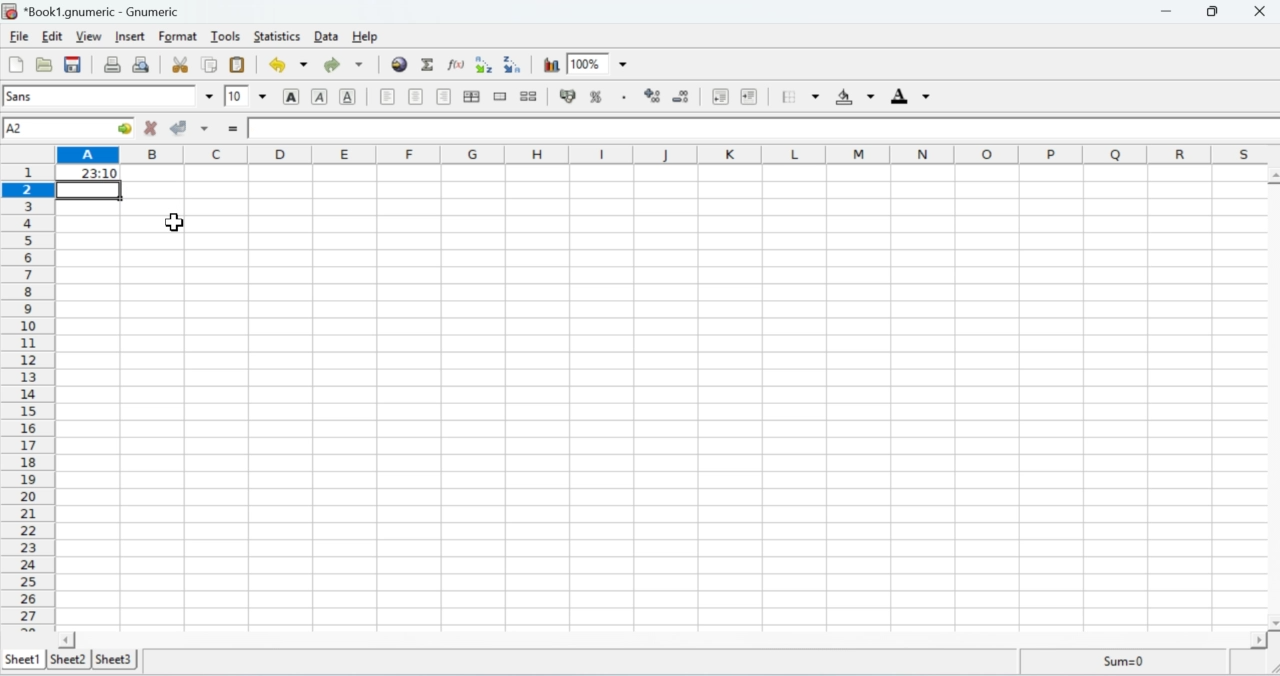 This screenshot has height=676, width=1280. Describe the element at coordinates (179, 37) in the screenshot. I see `Format` at that location.